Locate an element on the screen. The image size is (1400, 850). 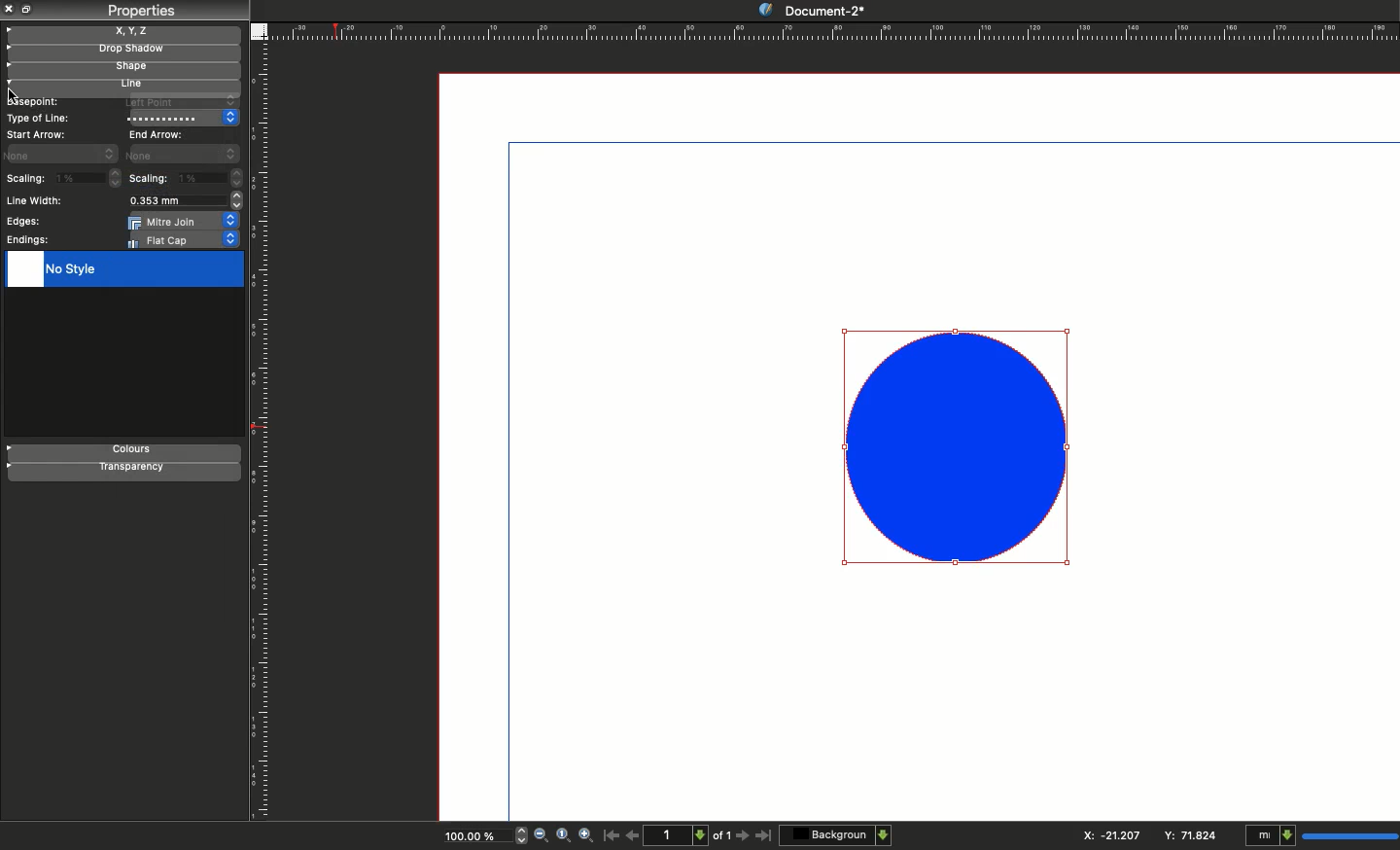
Next page is located at coordinates (745, 836).